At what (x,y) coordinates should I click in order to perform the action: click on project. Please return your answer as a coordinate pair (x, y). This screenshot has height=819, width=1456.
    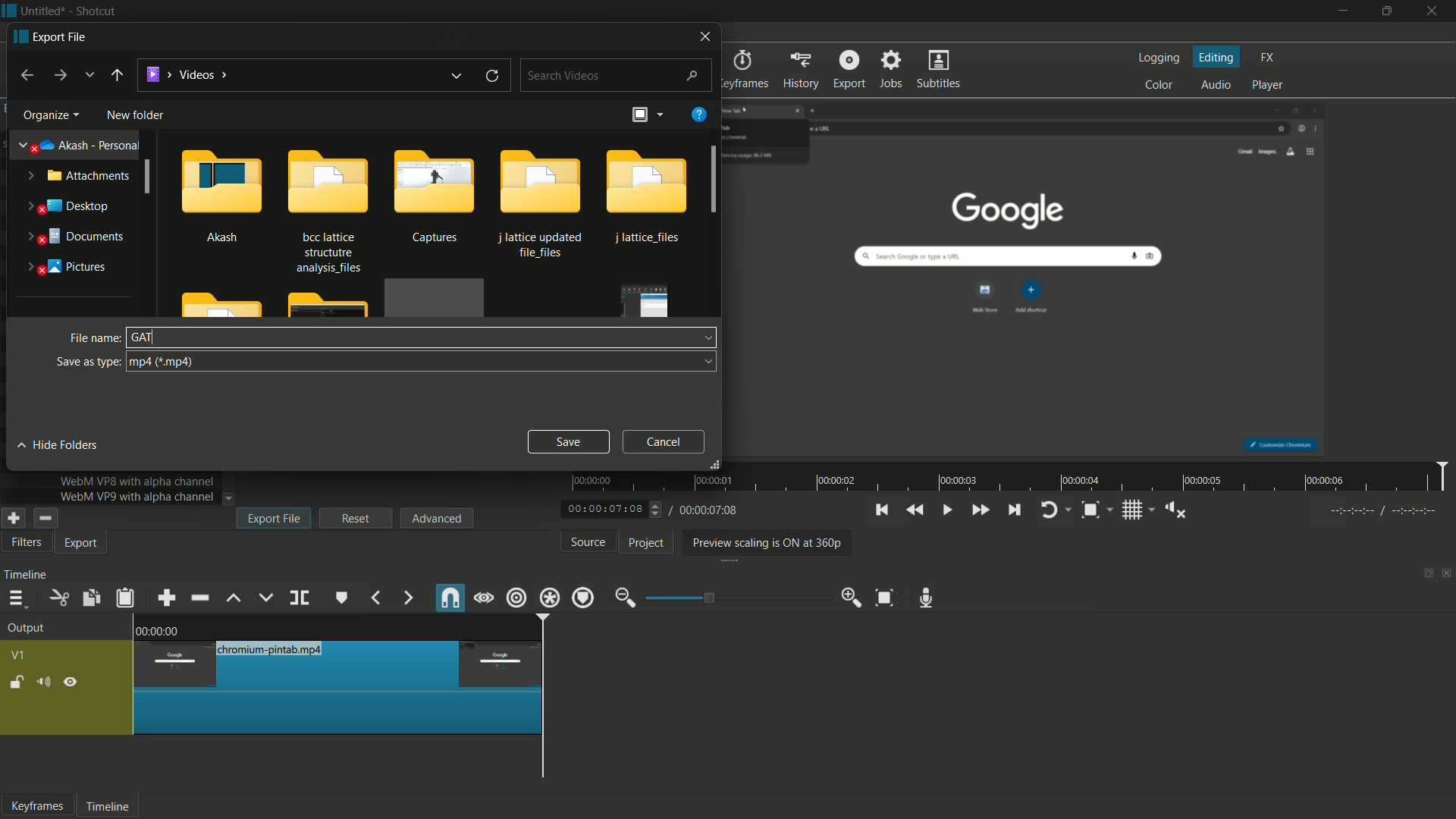
    Looking at the image, I should click on (647, 543).